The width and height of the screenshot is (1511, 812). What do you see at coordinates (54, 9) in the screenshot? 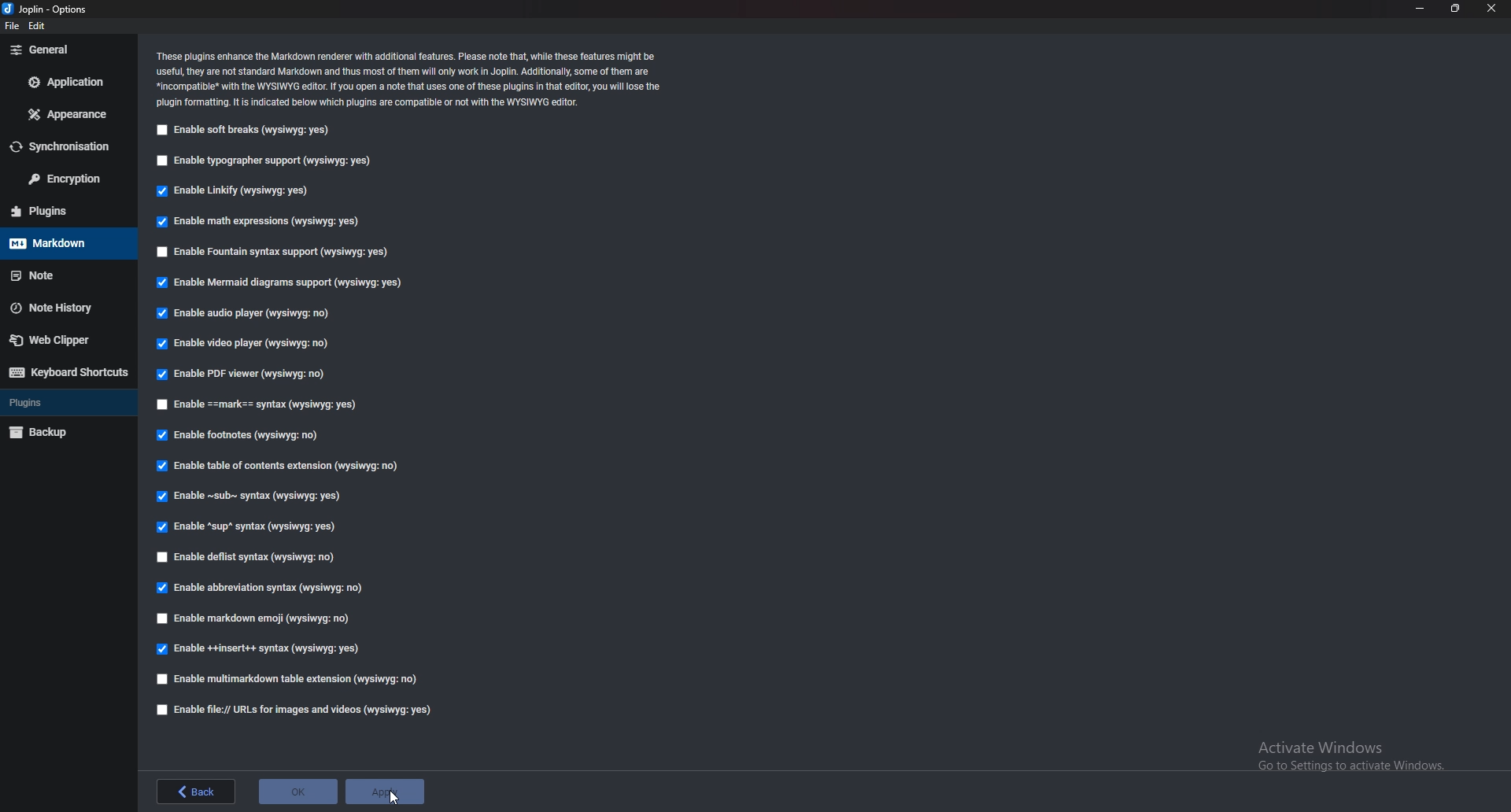
I see `Joblin - options` at bounding box center [54, 9].